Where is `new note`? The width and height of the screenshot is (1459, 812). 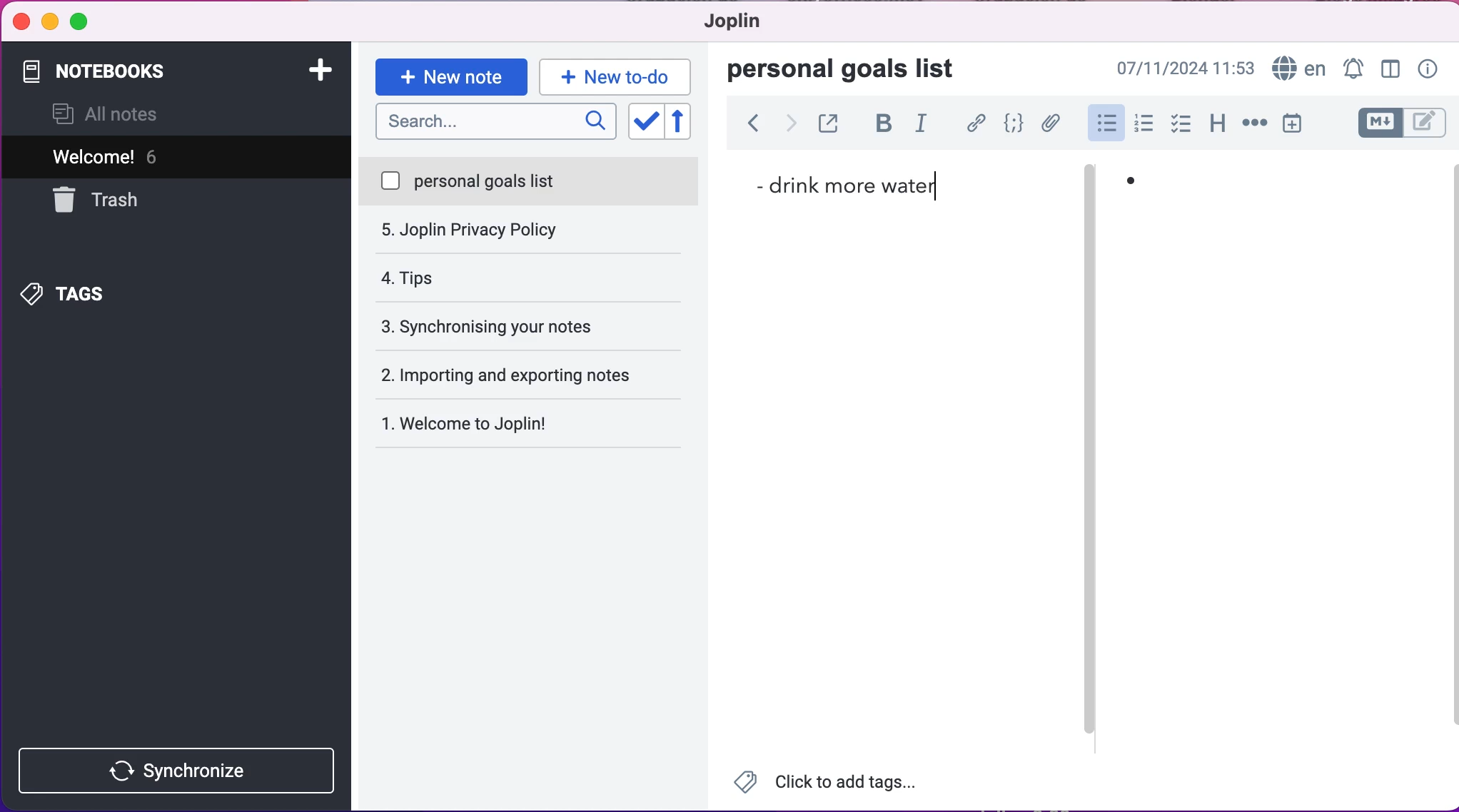 new note is located at coordinates (450, 76).